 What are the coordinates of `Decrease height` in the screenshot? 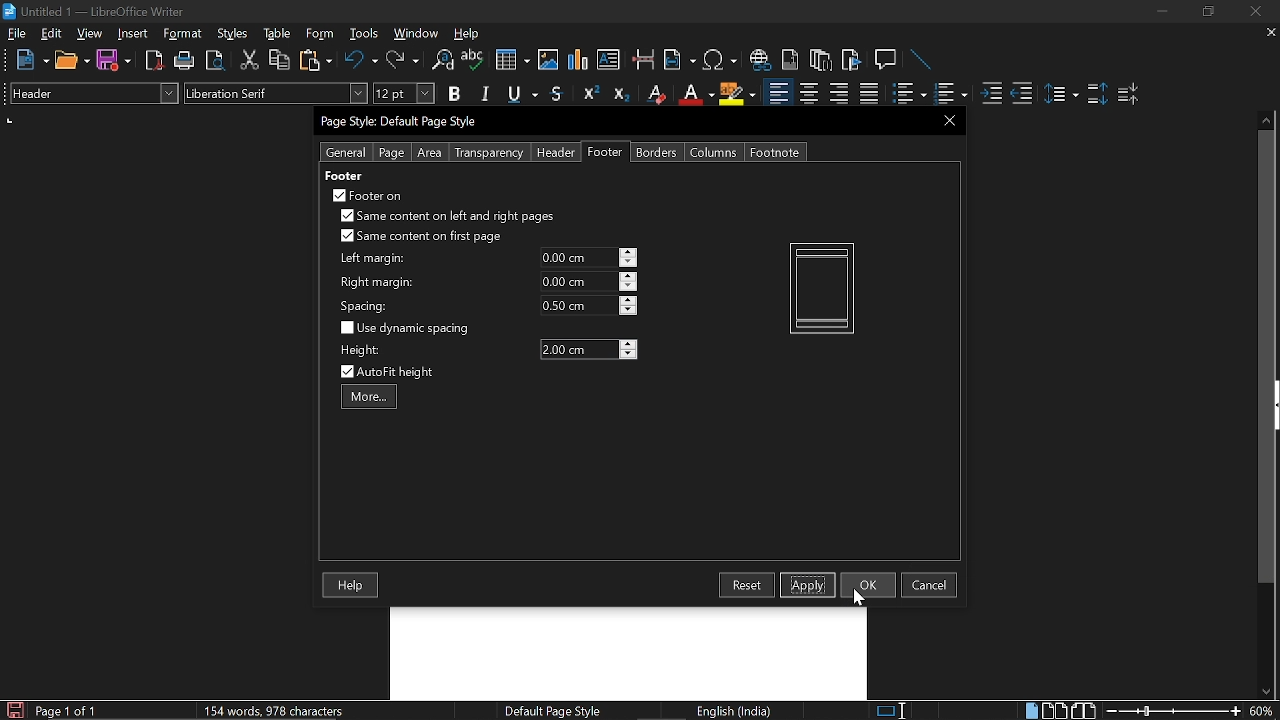 It's located at (628, 354).